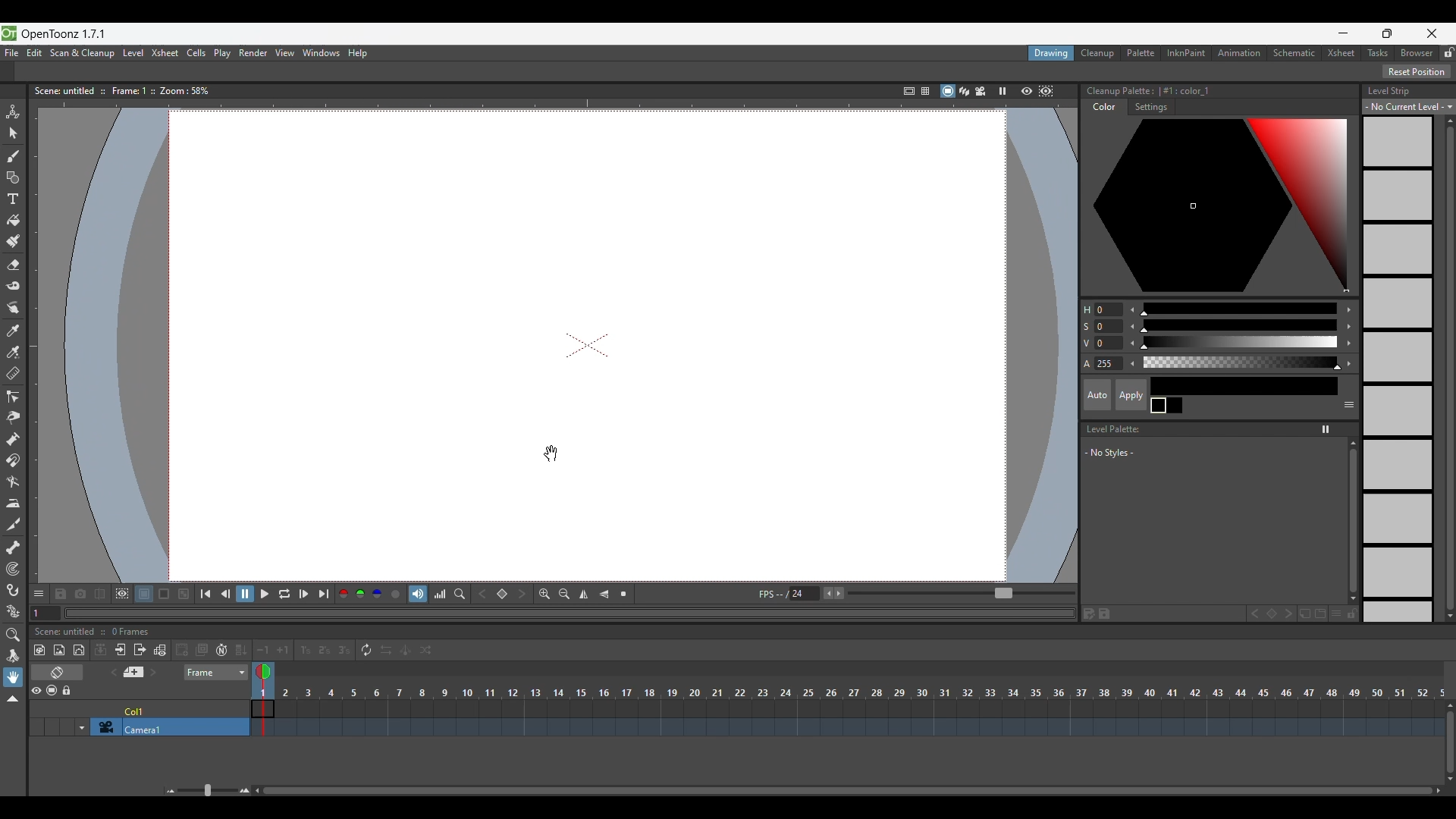  I want to click on Use slider for color modification, so click(1240, 336).